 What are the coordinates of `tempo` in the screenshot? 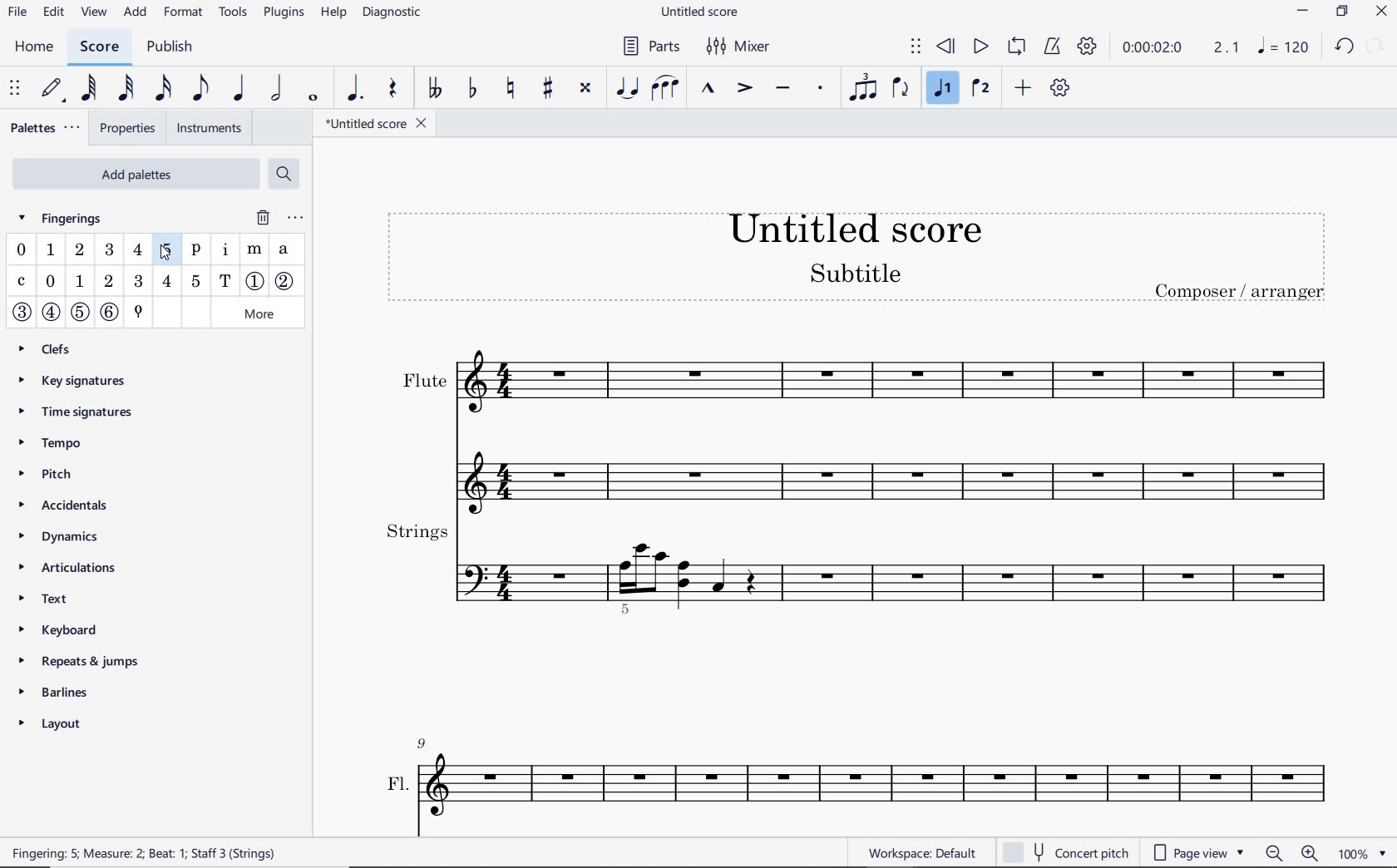 It's located at (53, 444).